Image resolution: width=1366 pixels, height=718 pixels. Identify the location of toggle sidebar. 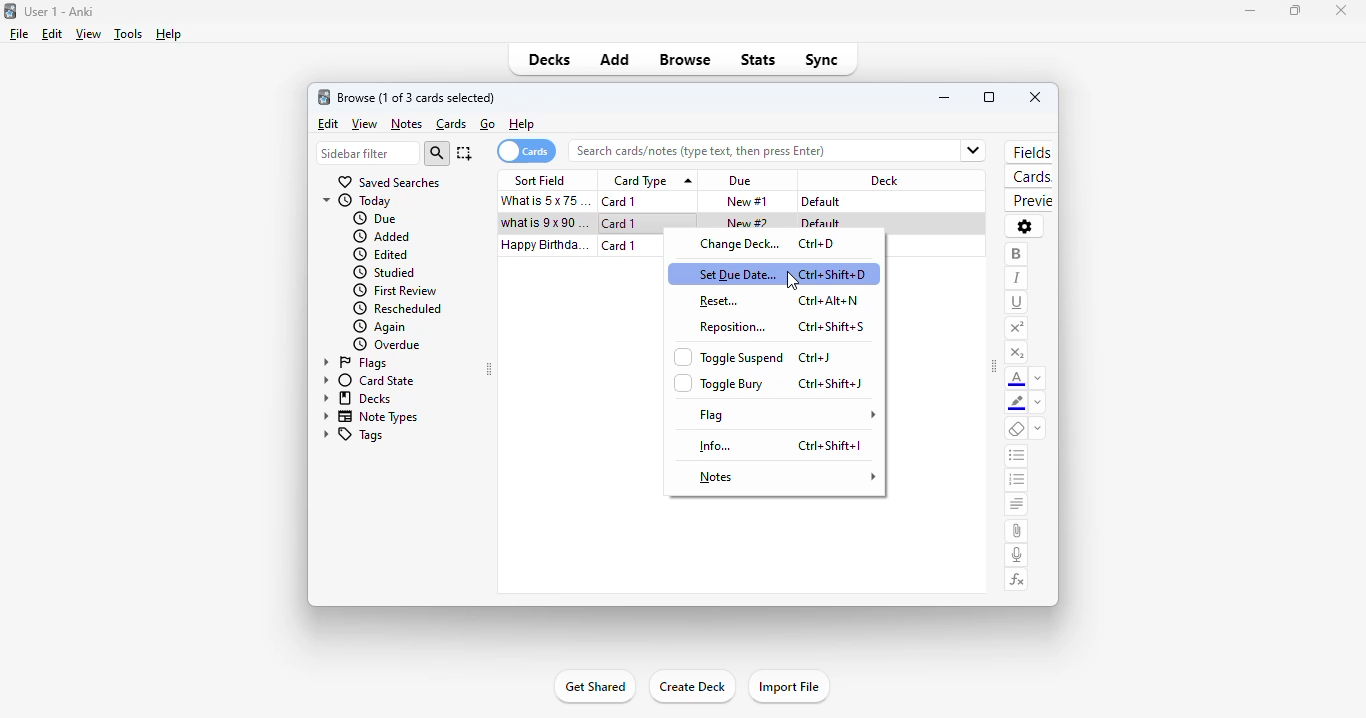
(488, 369).